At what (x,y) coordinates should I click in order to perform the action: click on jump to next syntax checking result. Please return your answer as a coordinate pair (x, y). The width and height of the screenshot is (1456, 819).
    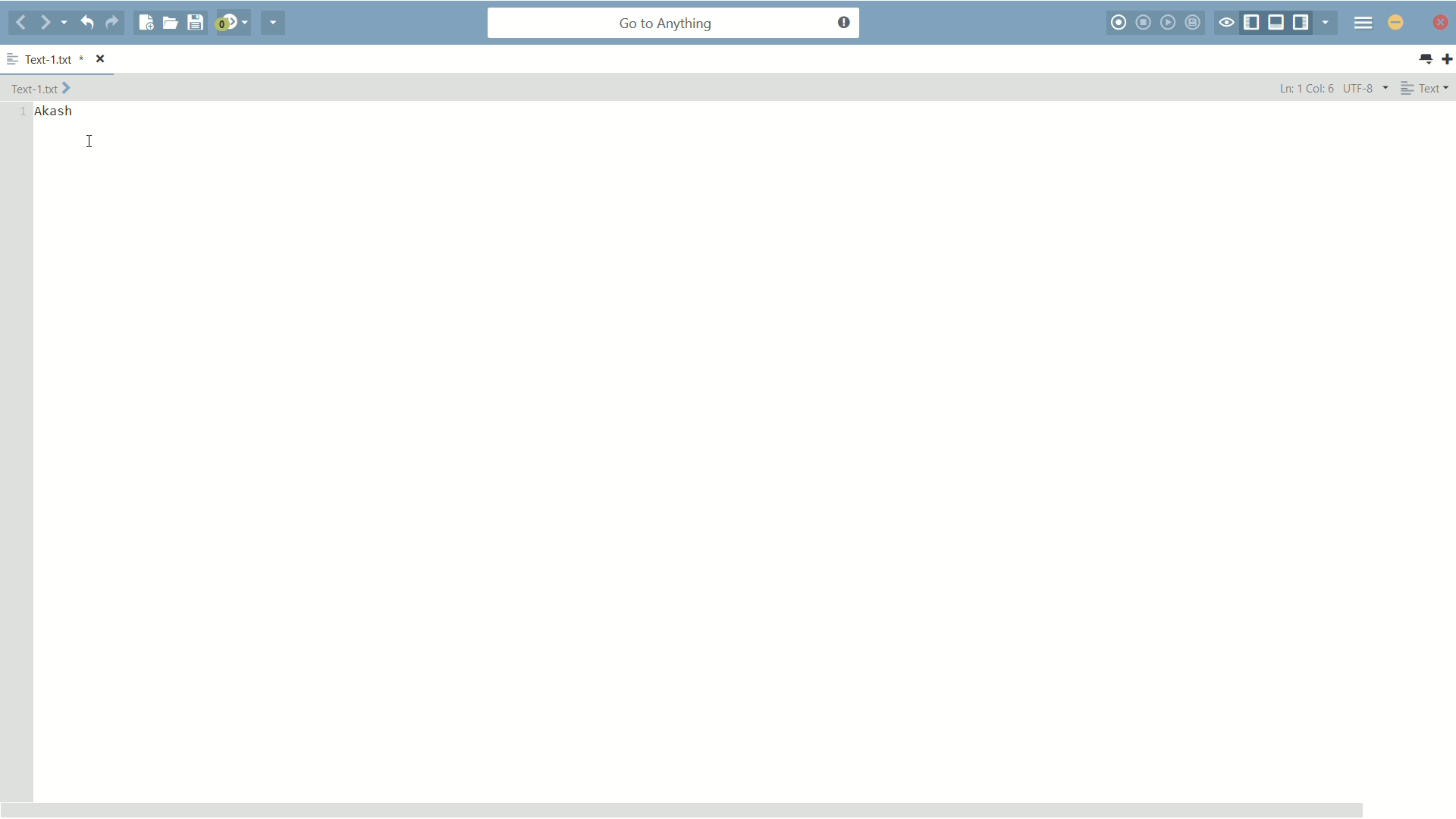
    Looking at the image, I should click on (233, 24).